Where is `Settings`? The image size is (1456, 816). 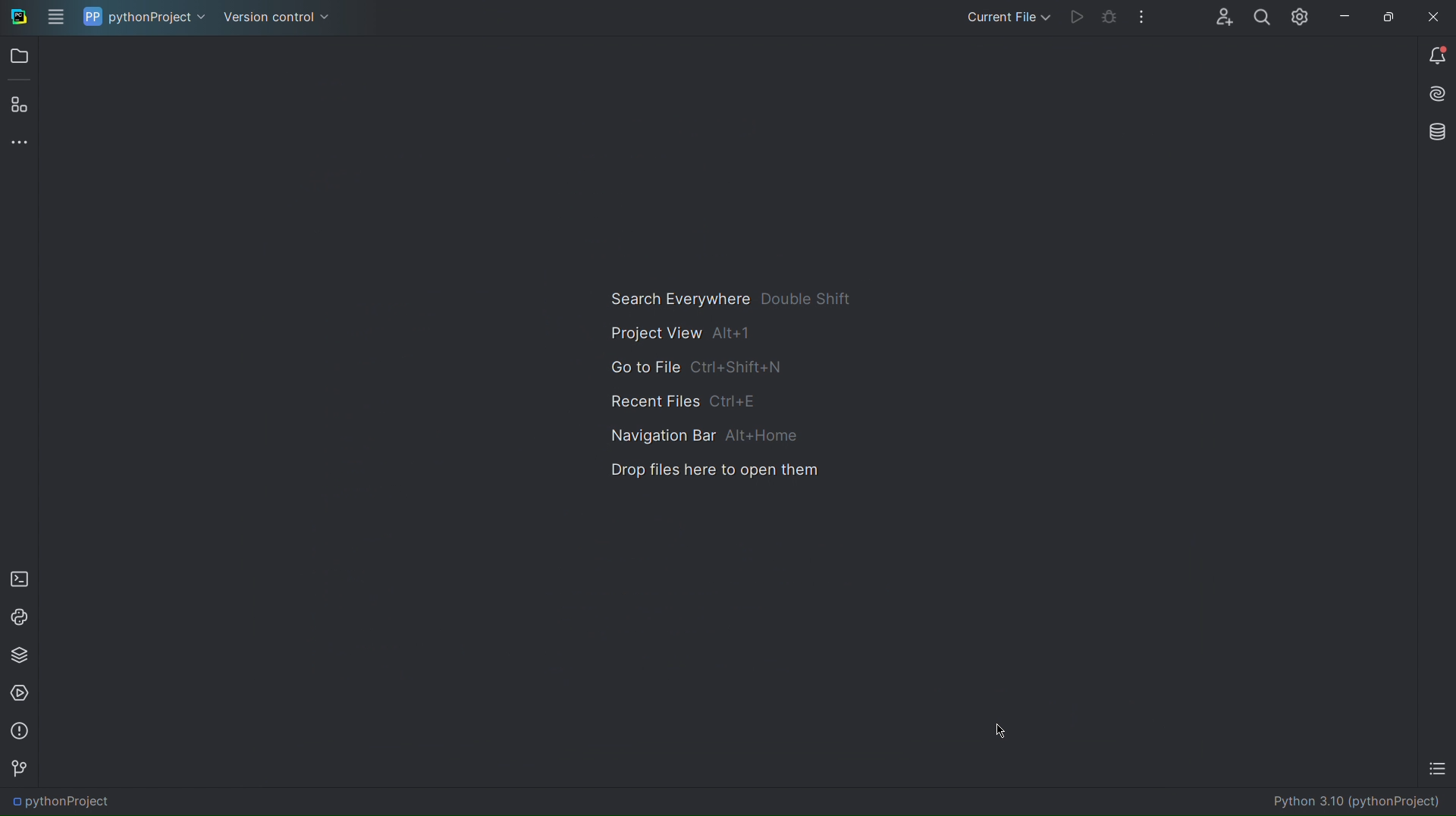 Settings is located at coordinates (1300, 17).